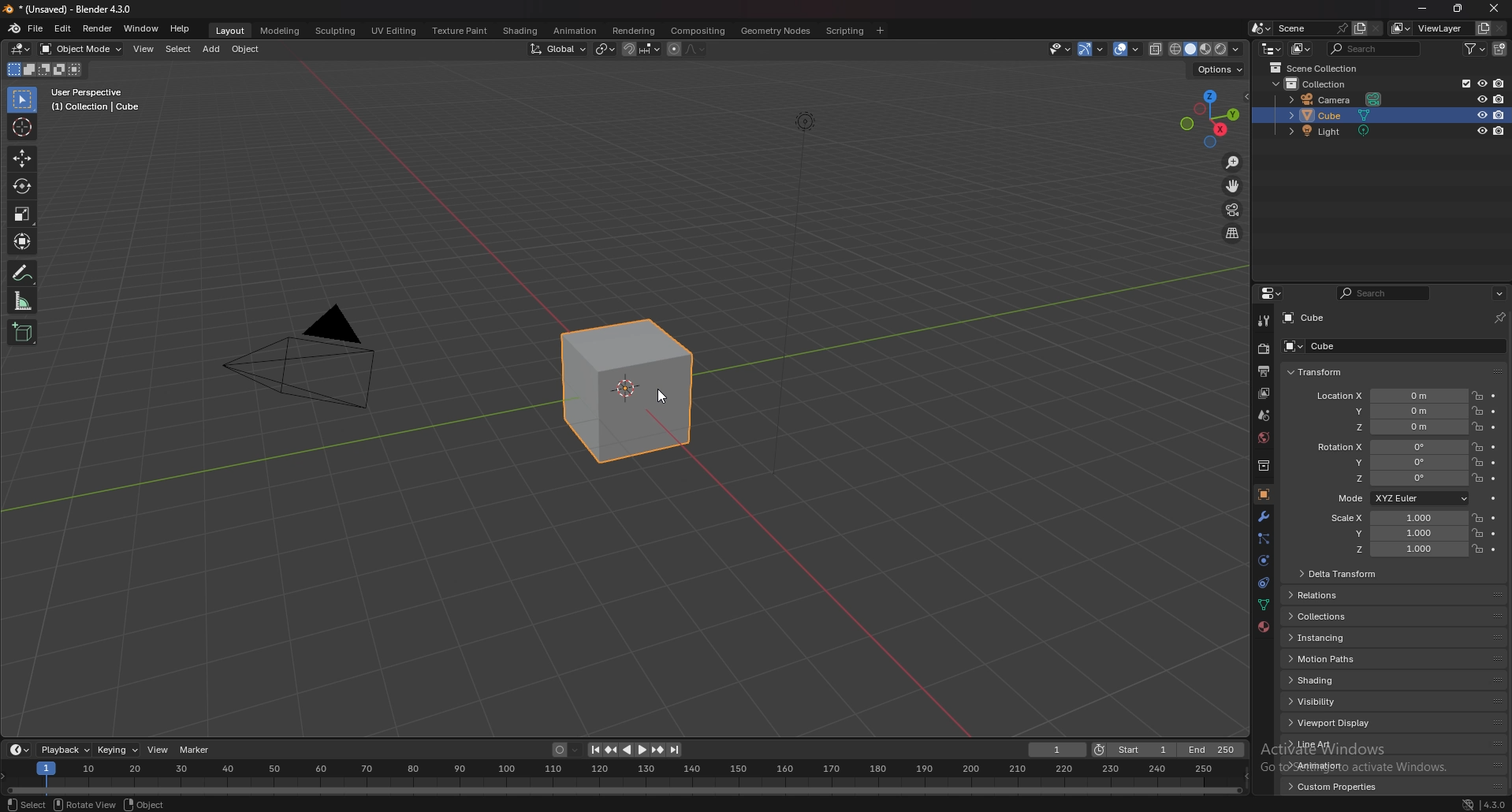  Describe the element at coordinates (1501, 49) in the screenshot. I see `new collection` at that location.